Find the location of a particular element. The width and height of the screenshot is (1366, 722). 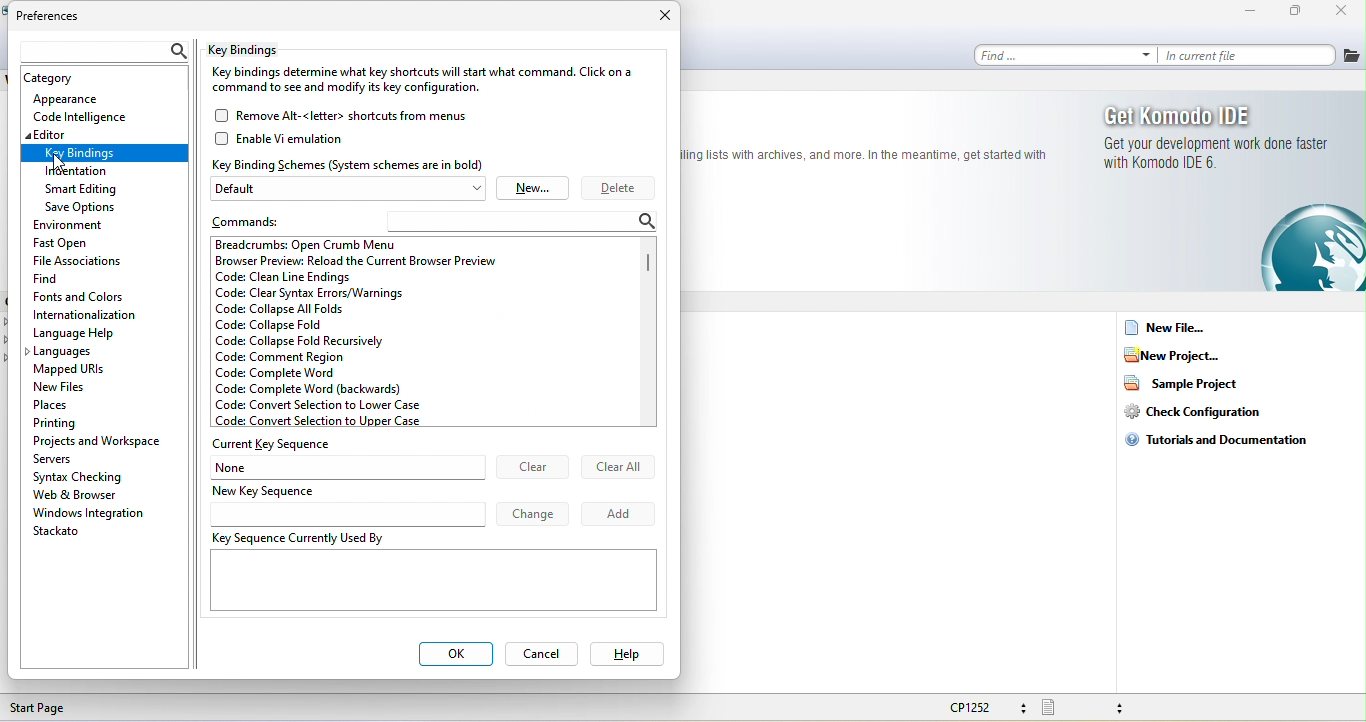

languages is located at coordinates (65, 353).